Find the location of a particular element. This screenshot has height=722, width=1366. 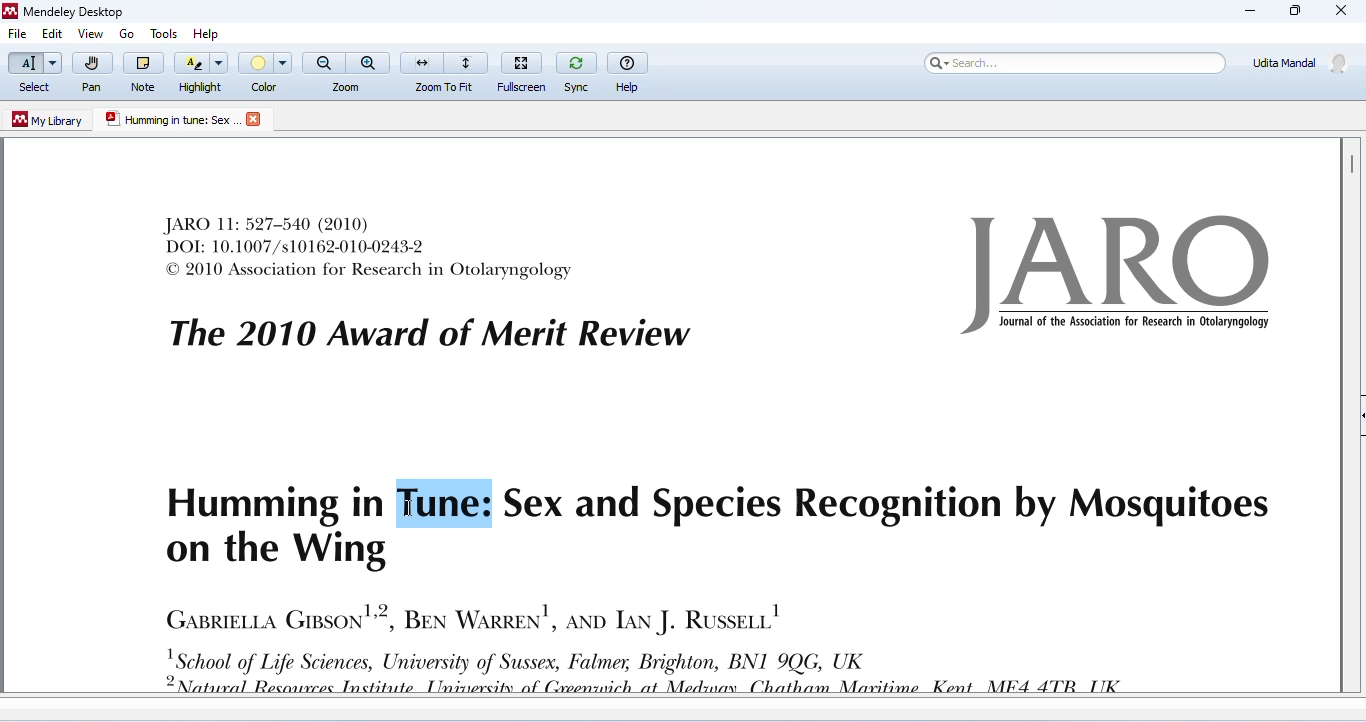

The 2010 Award of Merit Review is located at coordinates (429, 334).